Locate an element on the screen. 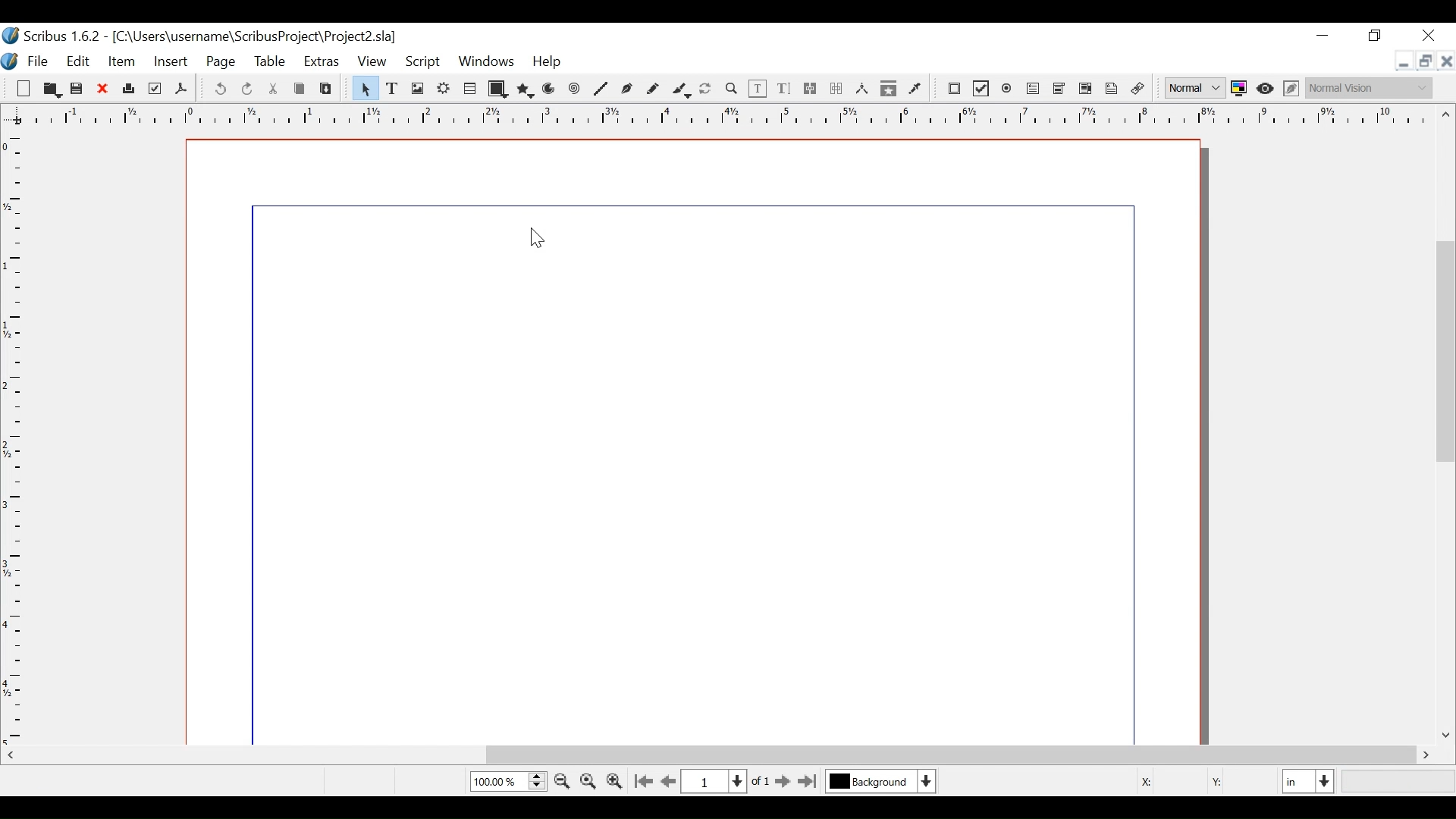  Link Annotations is located at coordinates (1135, 89).